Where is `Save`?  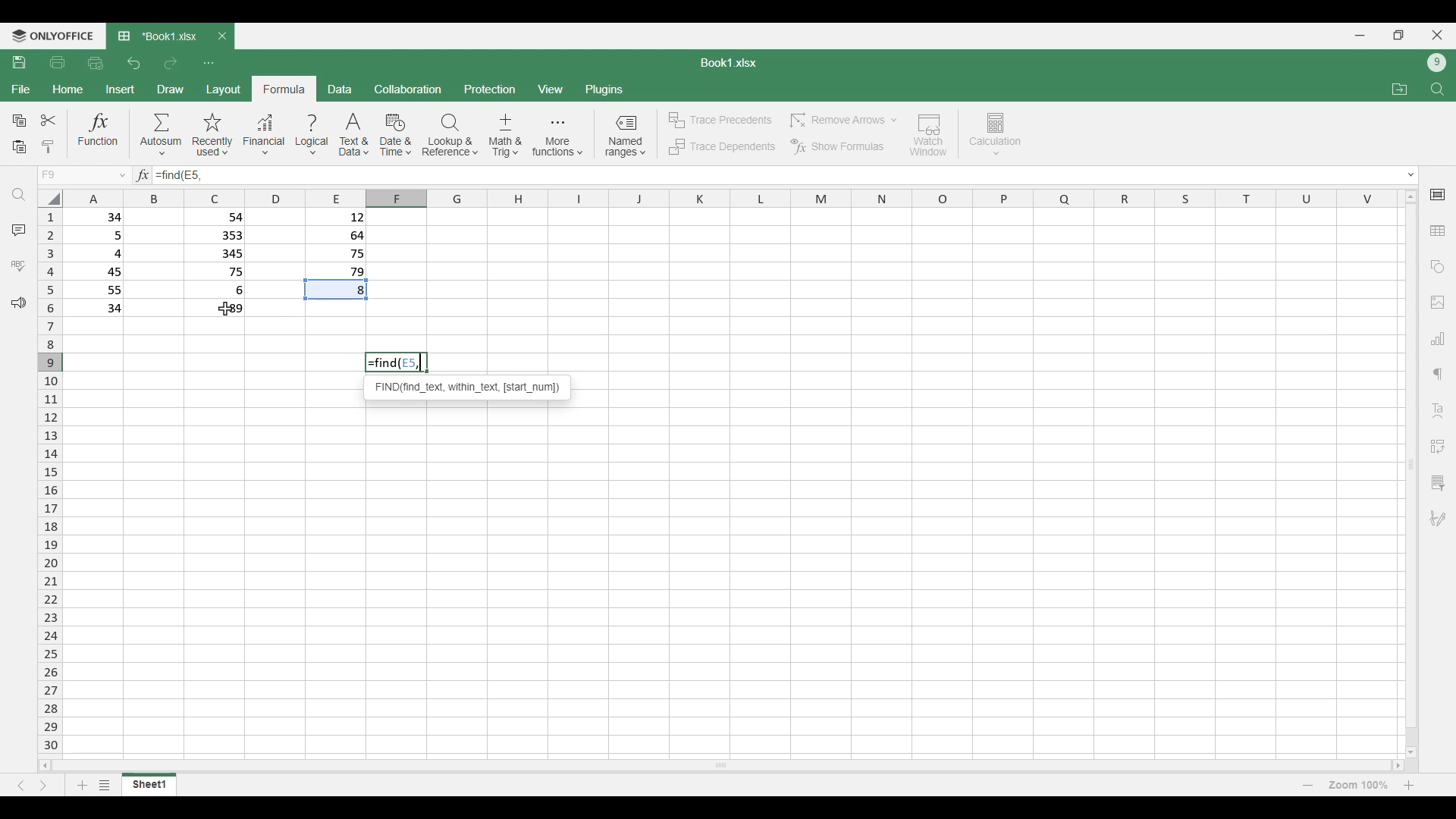
Save is located at coordinates (20, 62).